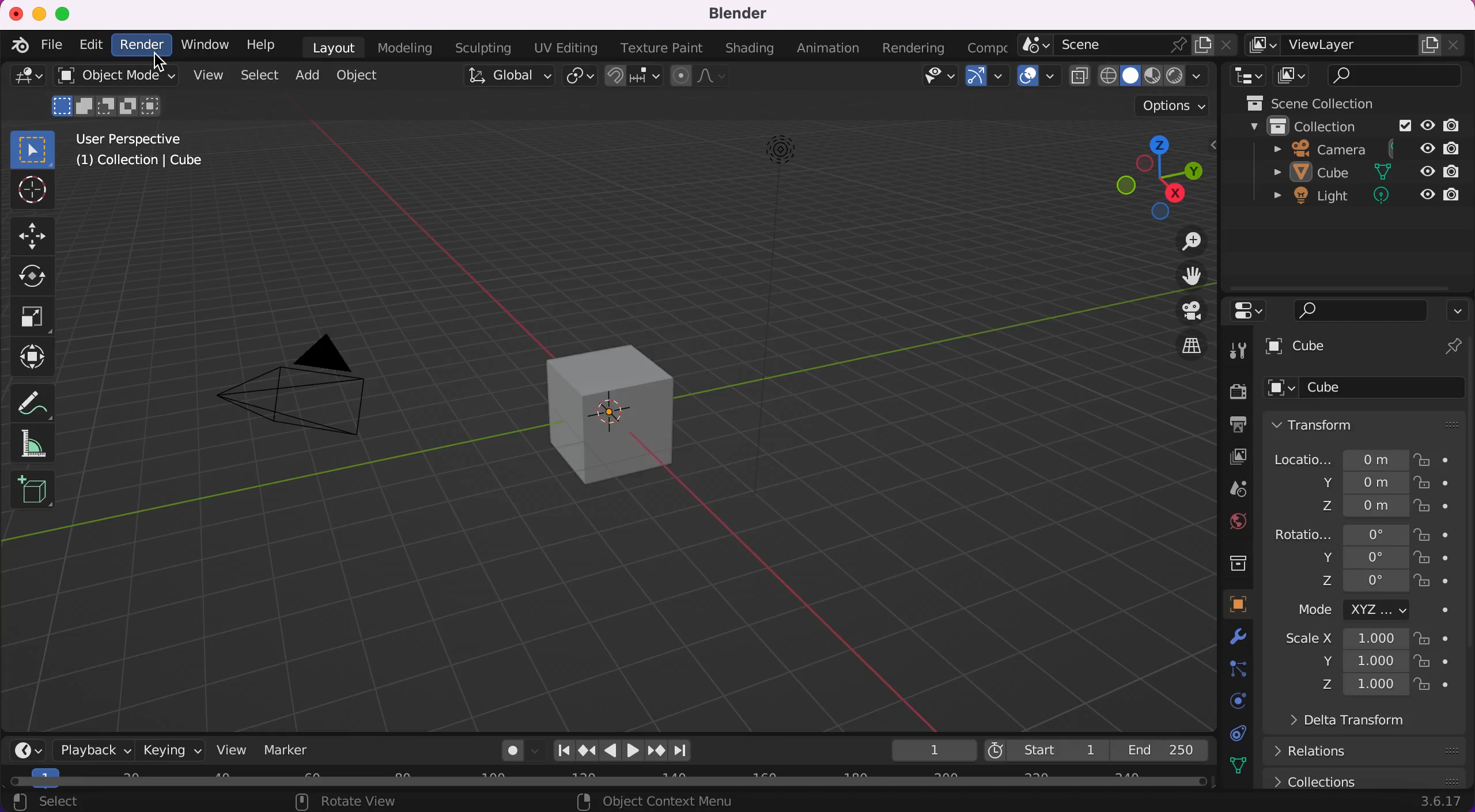  Describe the element at coordinates (32, 191) in the screenshot. I see `cursor` at that location.